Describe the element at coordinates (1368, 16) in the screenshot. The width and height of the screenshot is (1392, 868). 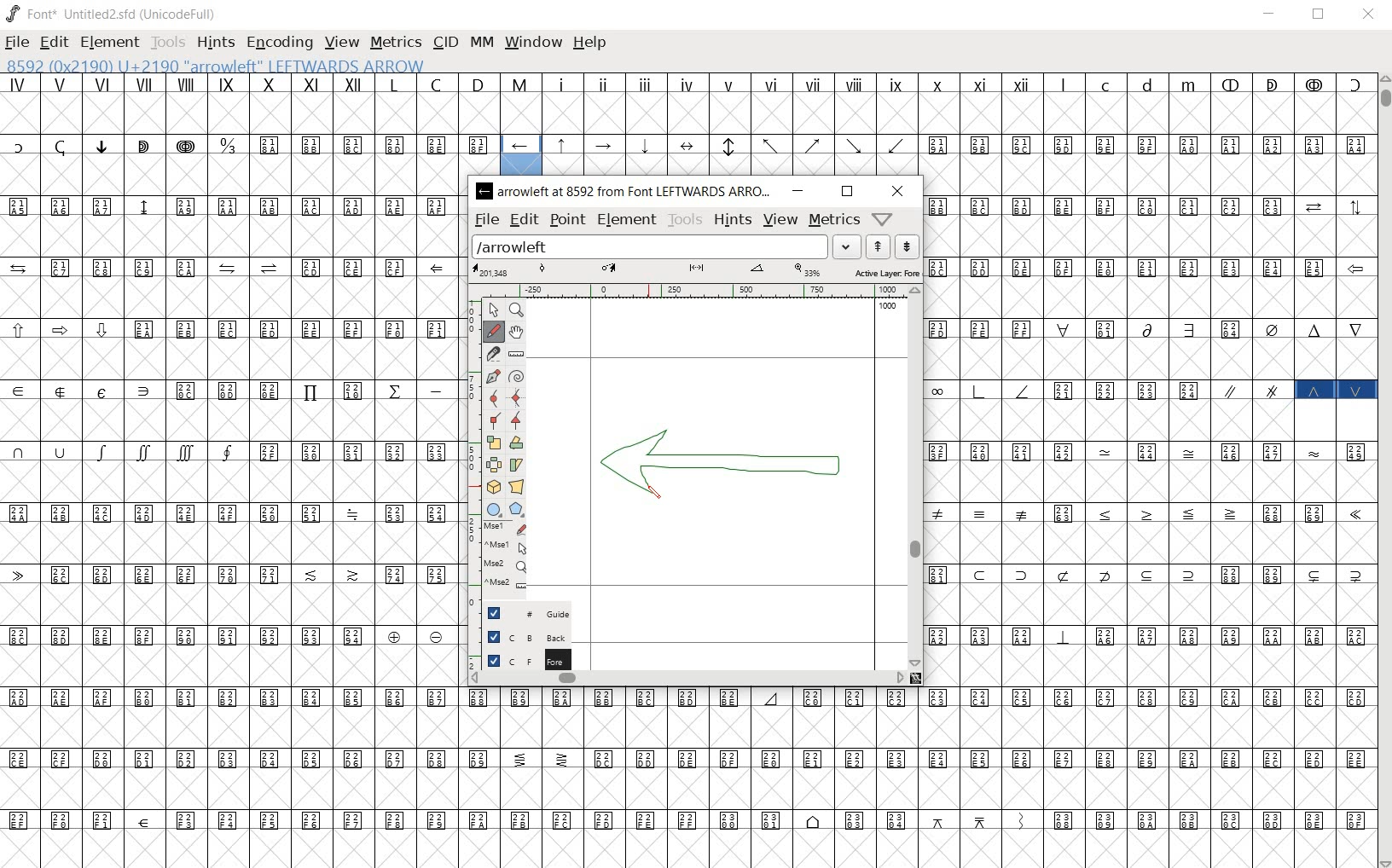
I see `close` at that location.